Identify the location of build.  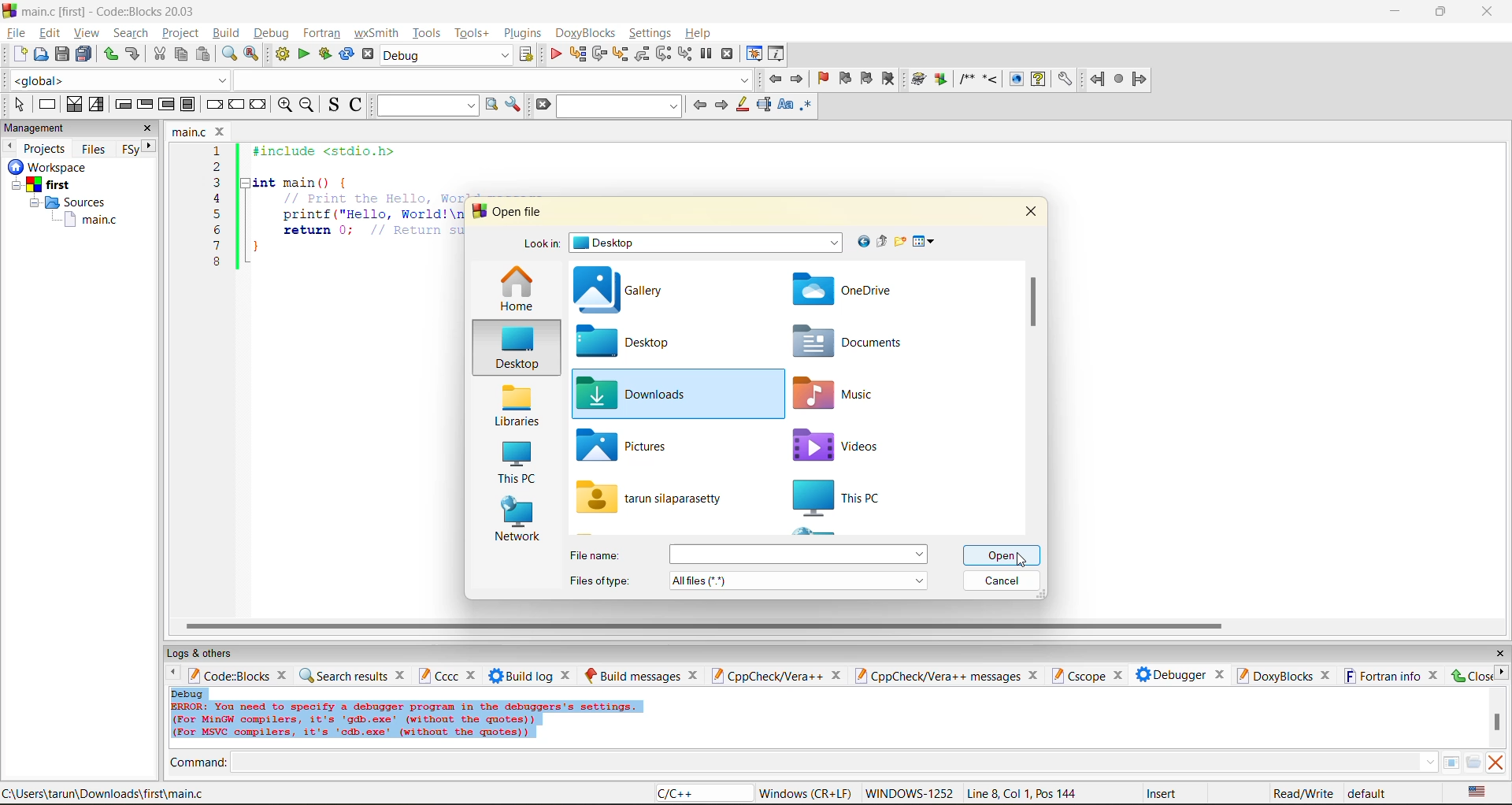
(225, 32).